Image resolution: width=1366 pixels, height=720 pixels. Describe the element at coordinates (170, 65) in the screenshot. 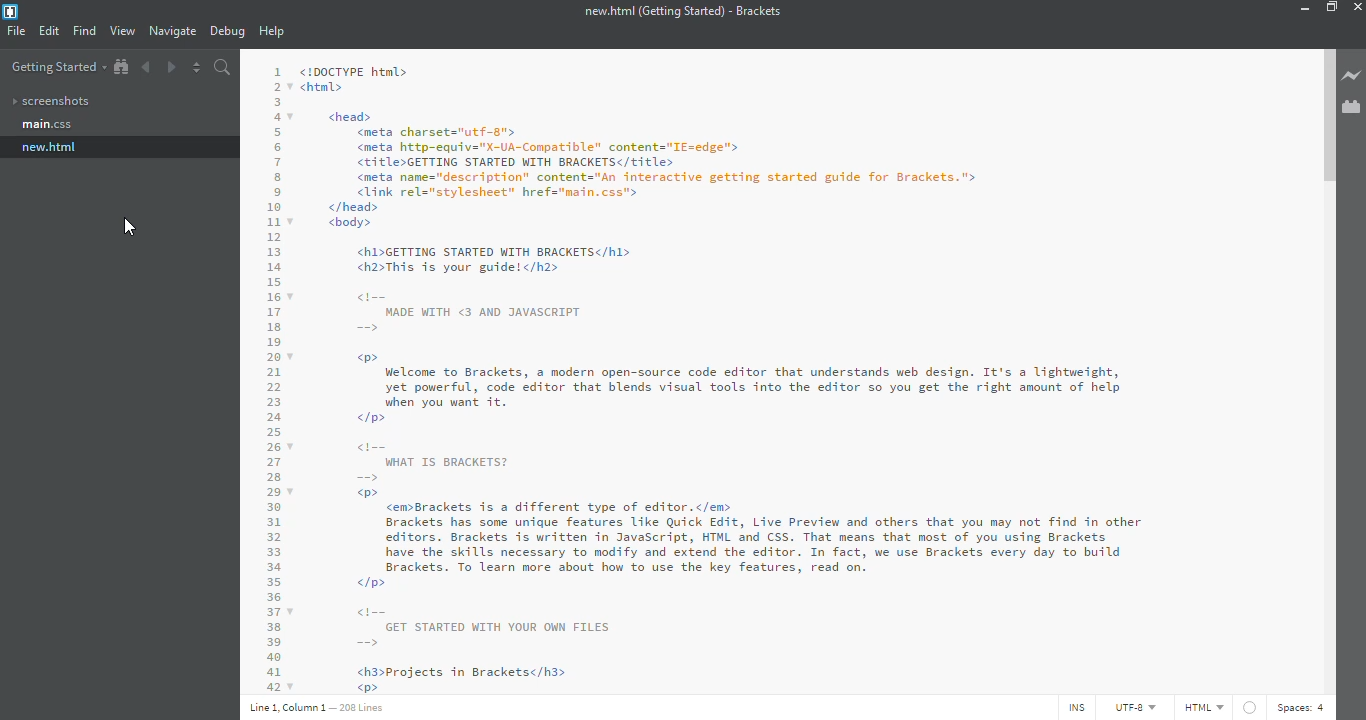

I see `next` at that location.